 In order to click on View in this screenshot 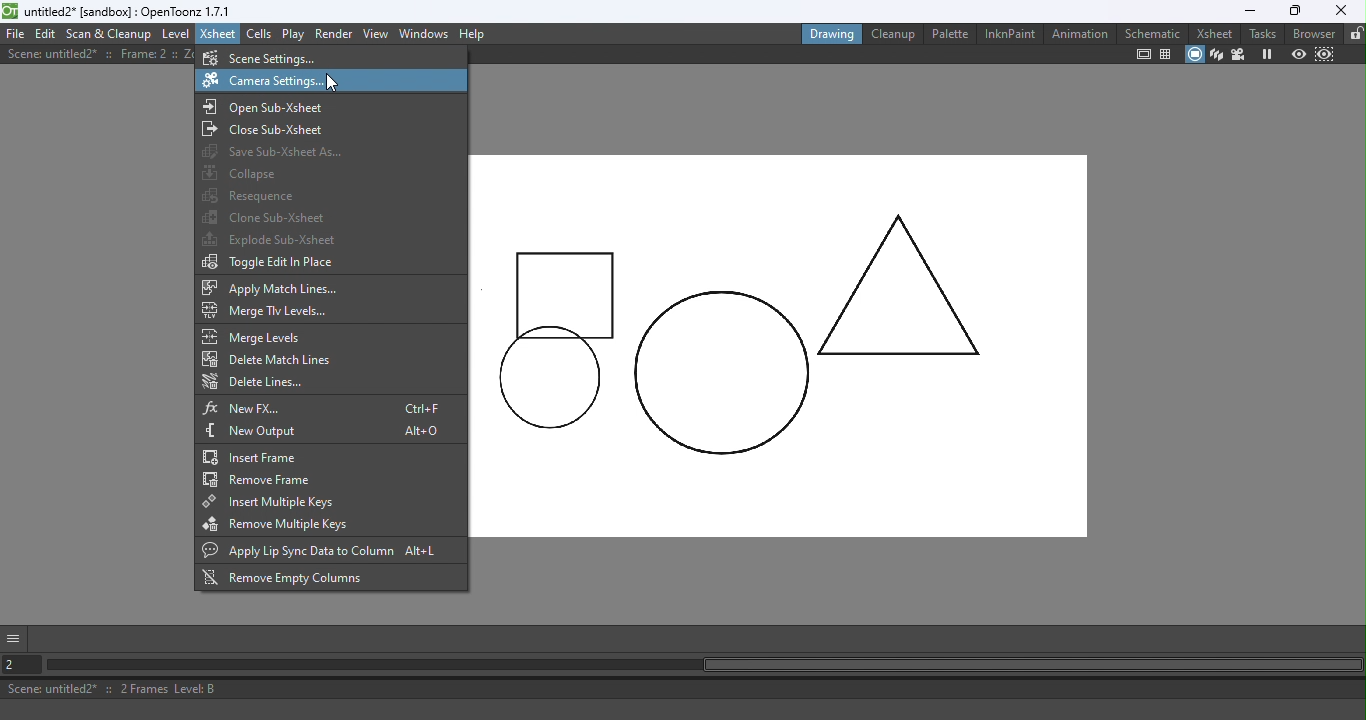, I will do `click(377, 33)`.